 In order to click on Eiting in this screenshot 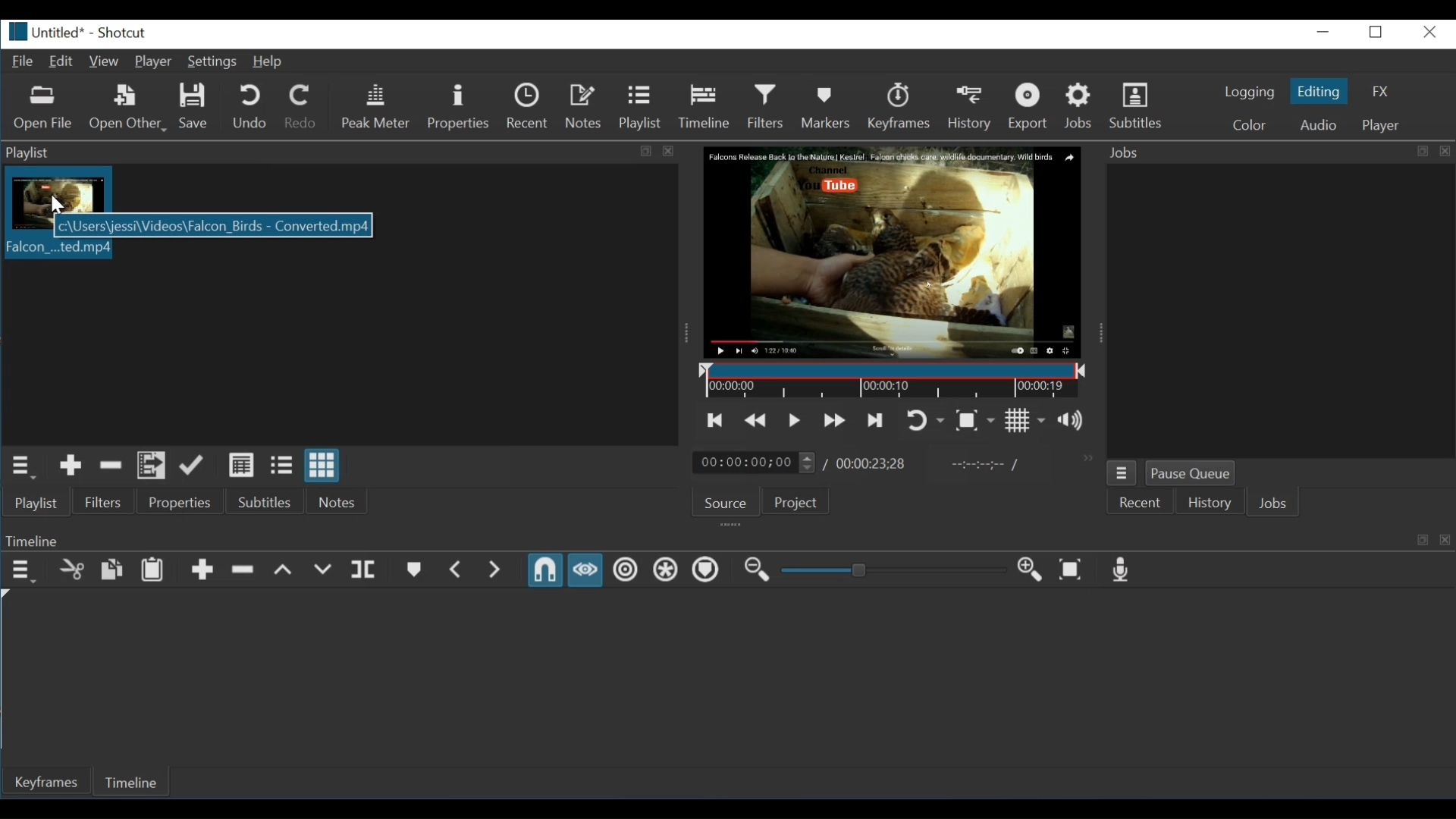, I will do `click(1317, 90)`.